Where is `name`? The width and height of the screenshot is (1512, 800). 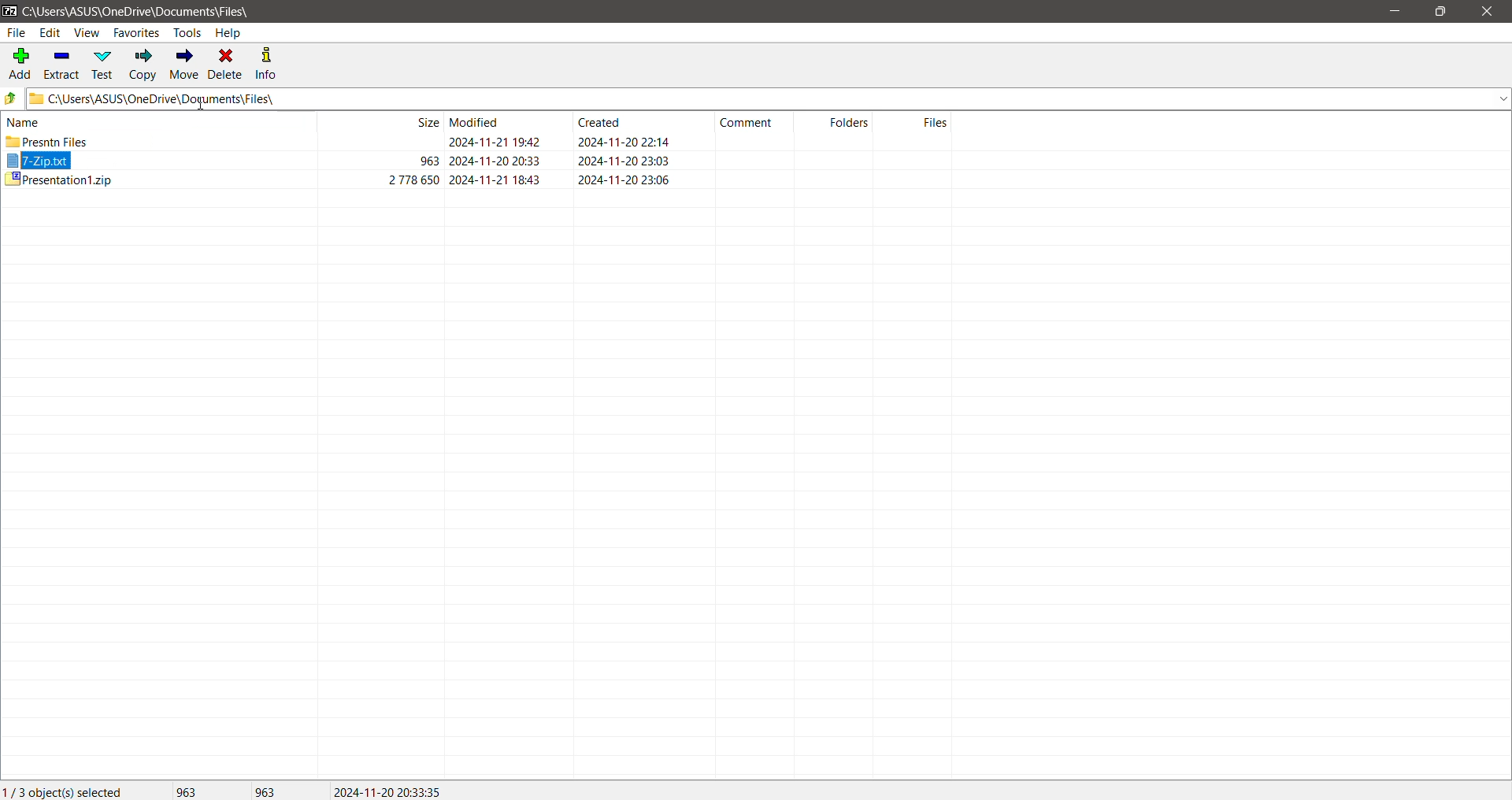 name is located at coordinates (24, 122).